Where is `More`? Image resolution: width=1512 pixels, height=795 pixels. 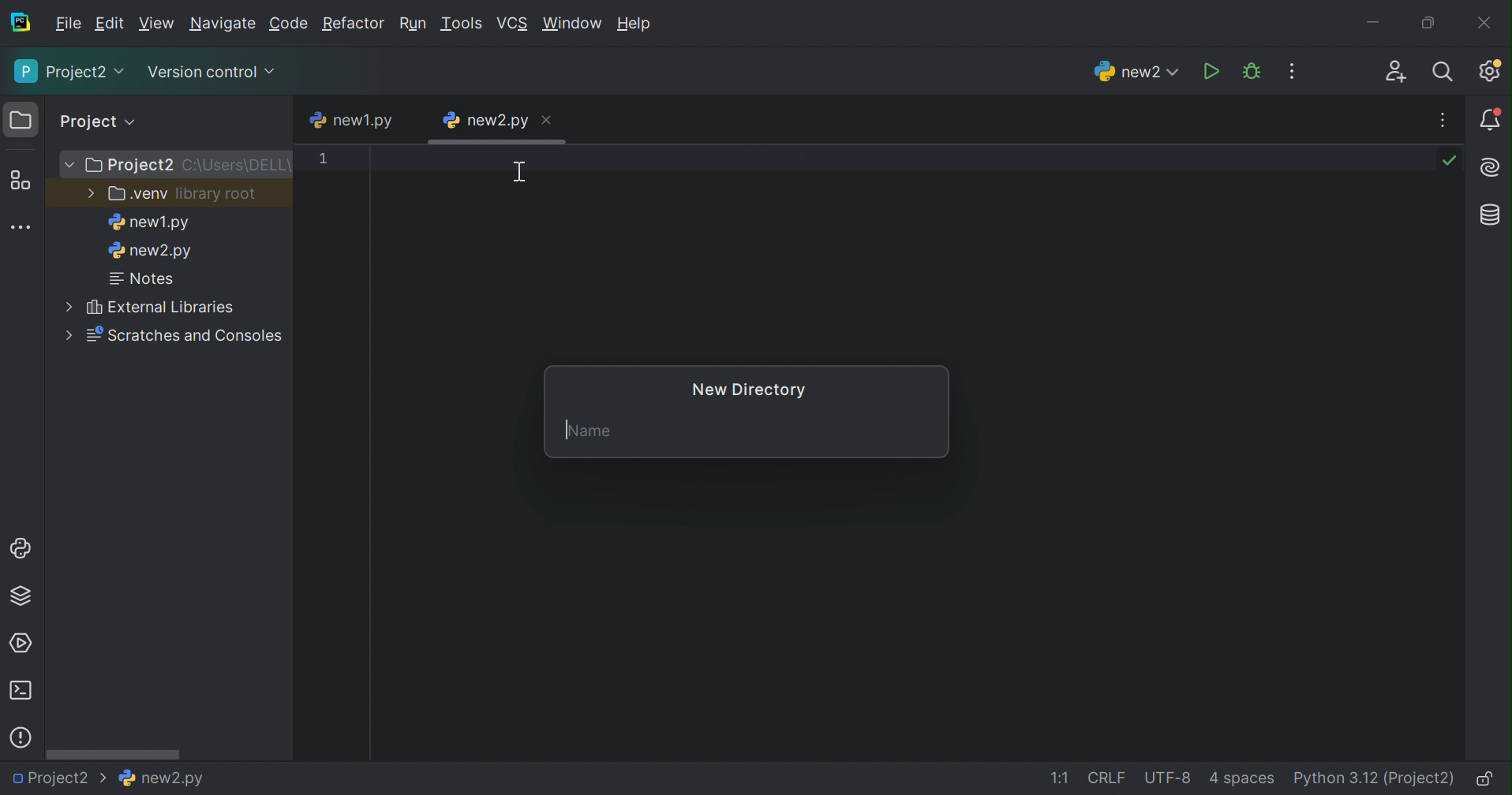
More is located at coordinates (88, 192).